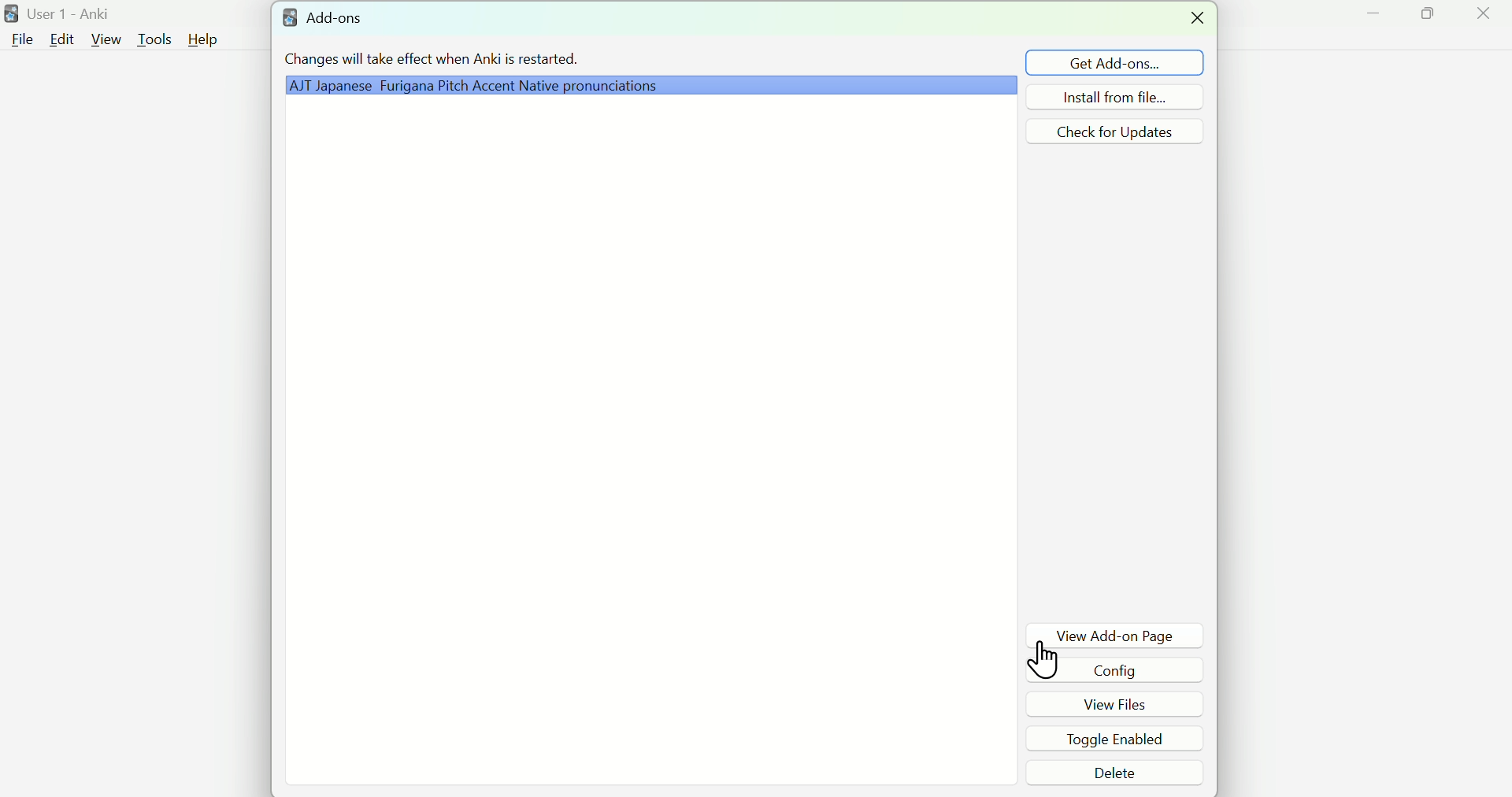 The image size is (1512, 797). What do you see at coordinates (327, 17) in the screenshot?
I see `Add-ons` at bounding box center [327, 17].